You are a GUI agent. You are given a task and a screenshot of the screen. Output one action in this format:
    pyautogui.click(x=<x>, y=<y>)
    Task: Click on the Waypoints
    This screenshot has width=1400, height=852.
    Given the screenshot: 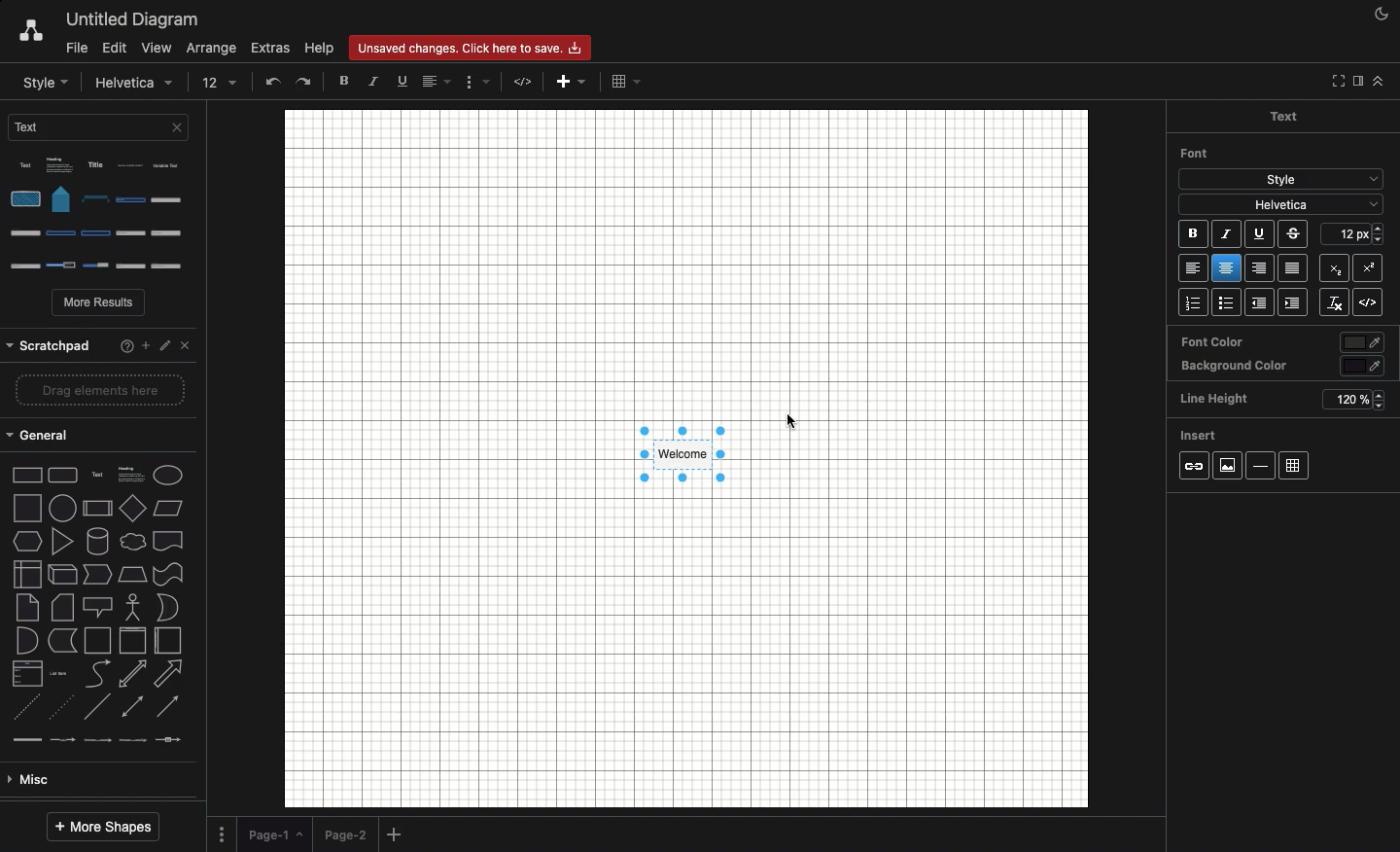 What is the action you would take?
    pyautogui.click(x=567, y=83)
    